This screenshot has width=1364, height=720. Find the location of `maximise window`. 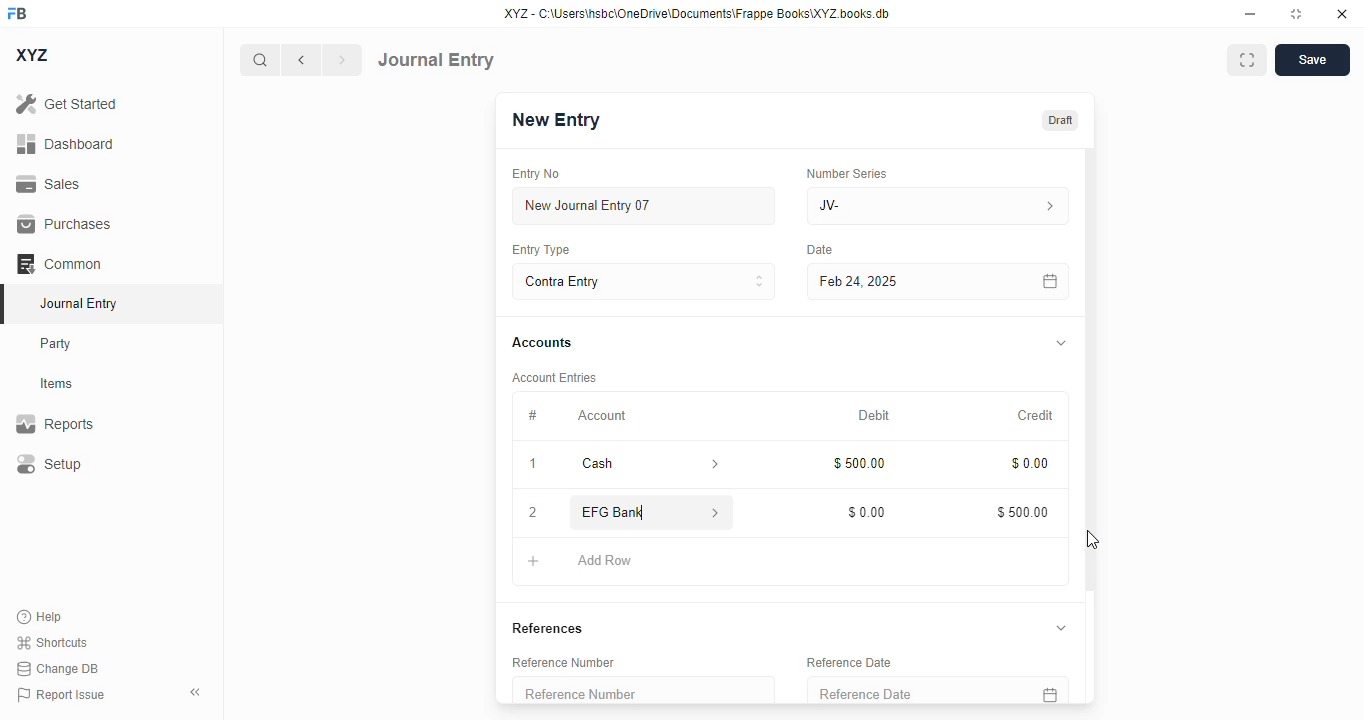

maximise window is located at coordinates (1247, 60).